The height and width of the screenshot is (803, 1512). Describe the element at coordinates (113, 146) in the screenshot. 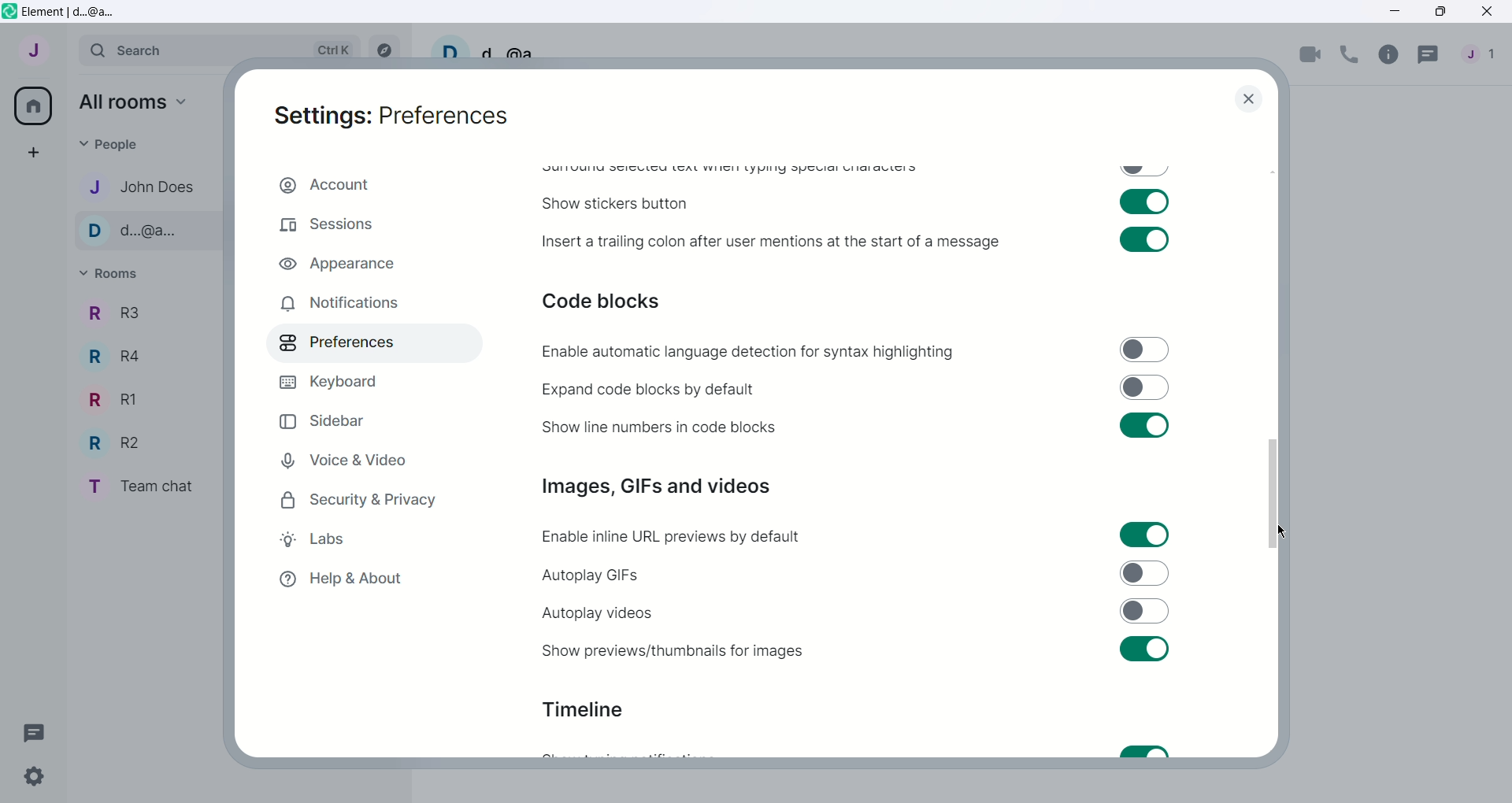

I see `People ` at that location.